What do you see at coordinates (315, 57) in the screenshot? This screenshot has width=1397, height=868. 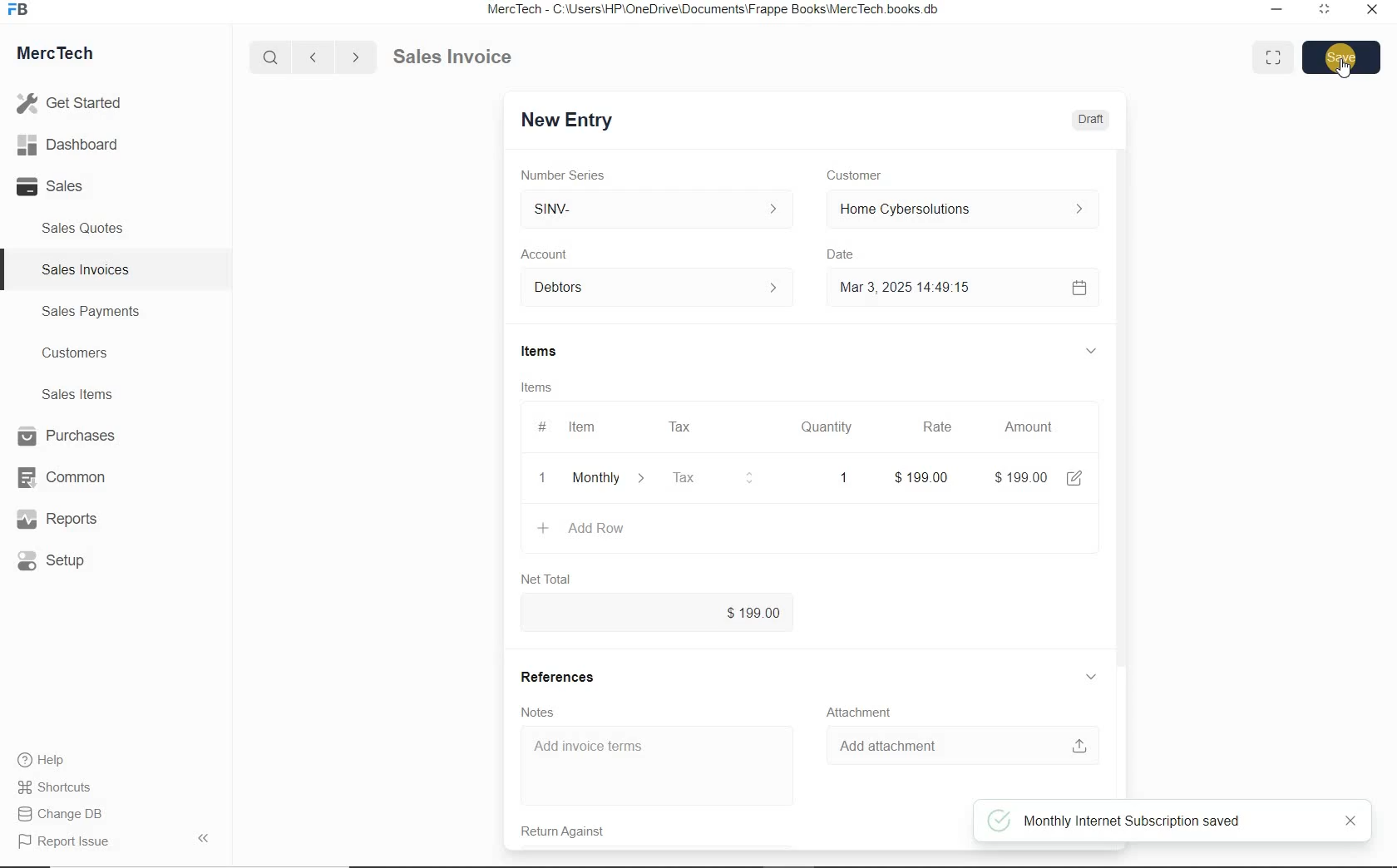 I see `Go back` at bounding box center [315, 57].